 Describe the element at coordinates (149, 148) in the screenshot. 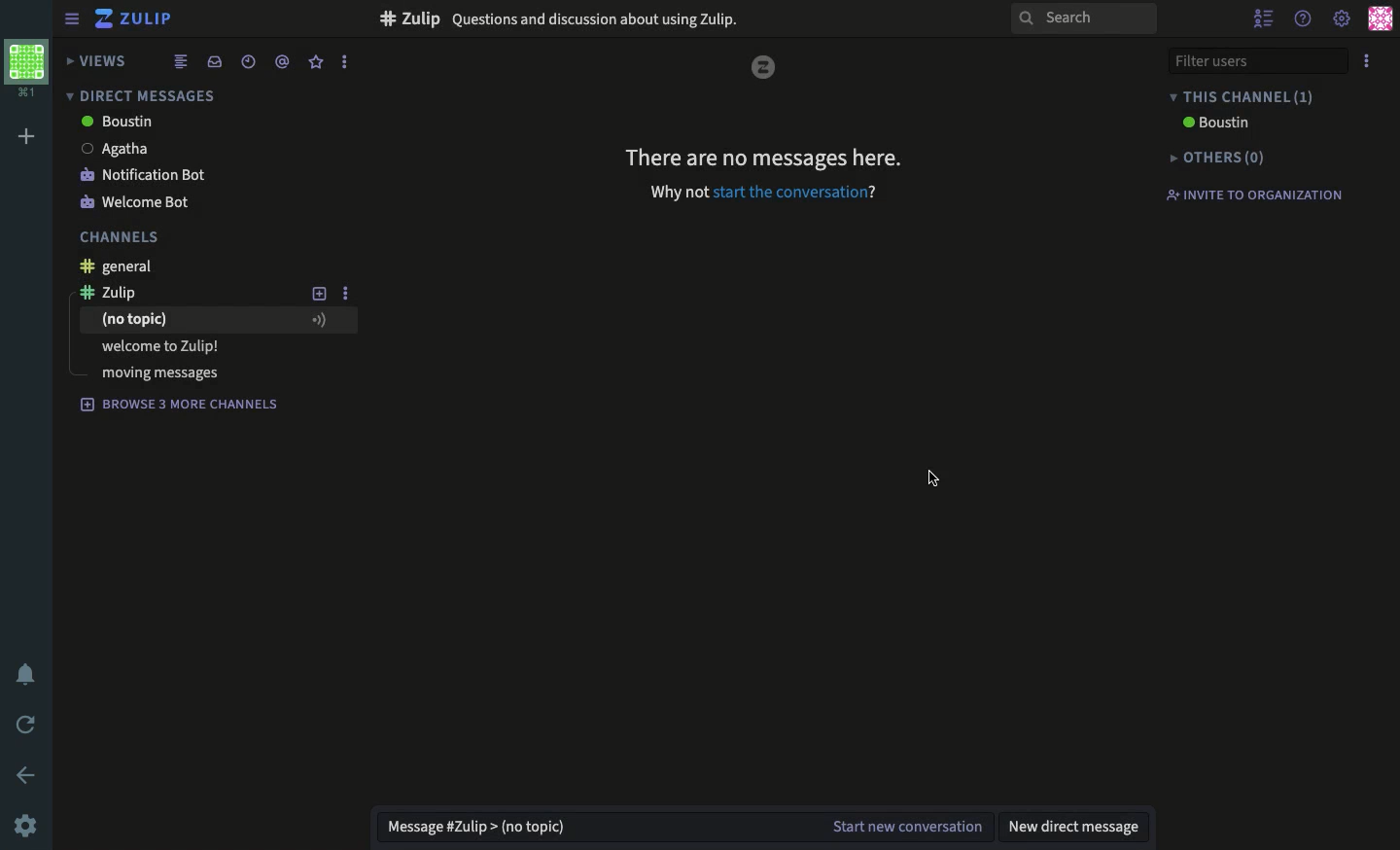

I see `Agatha` at that location.